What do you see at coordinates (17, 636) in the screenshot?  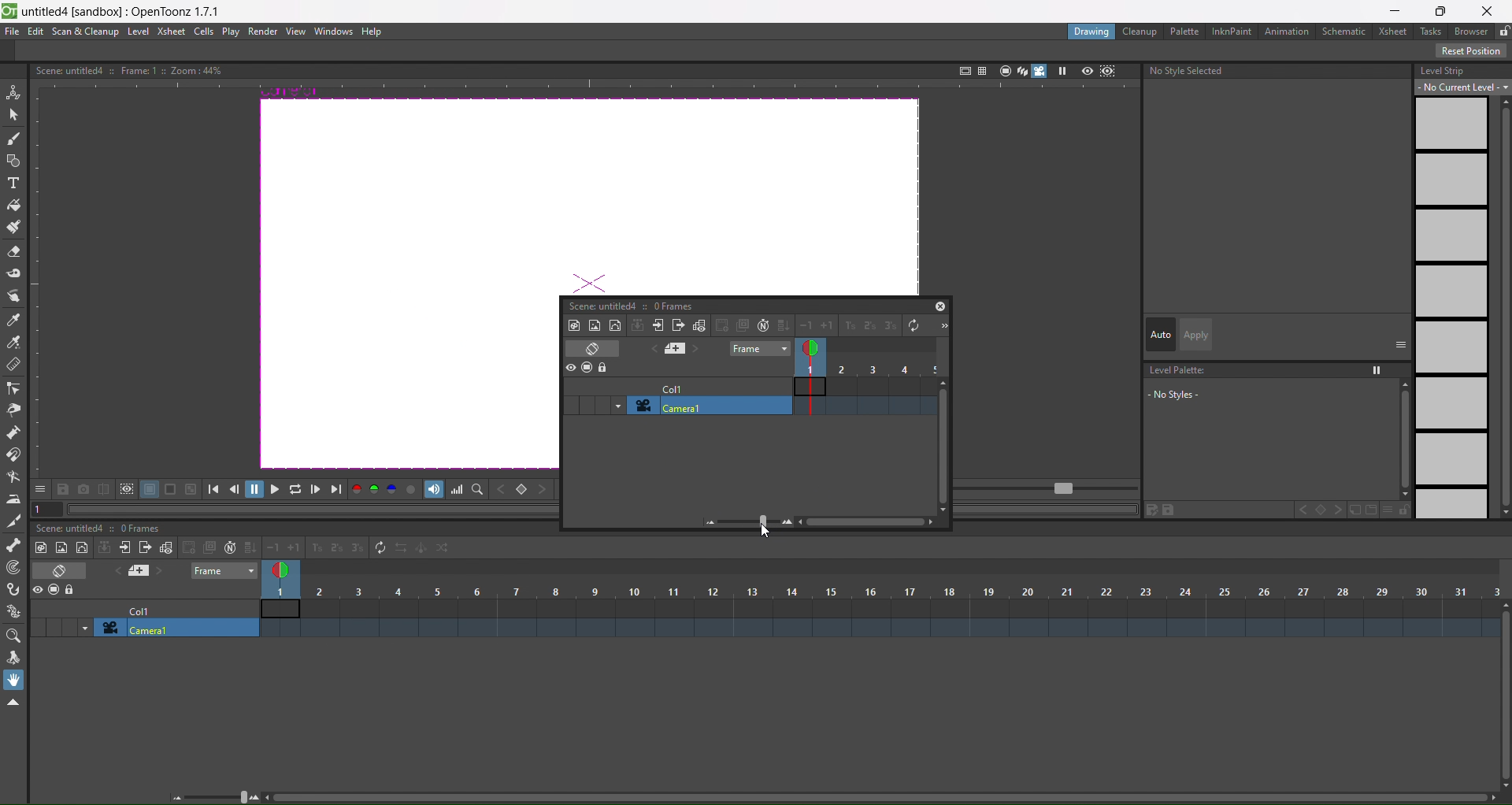 I see `magnifier tool` at bounding box center [17, 636].